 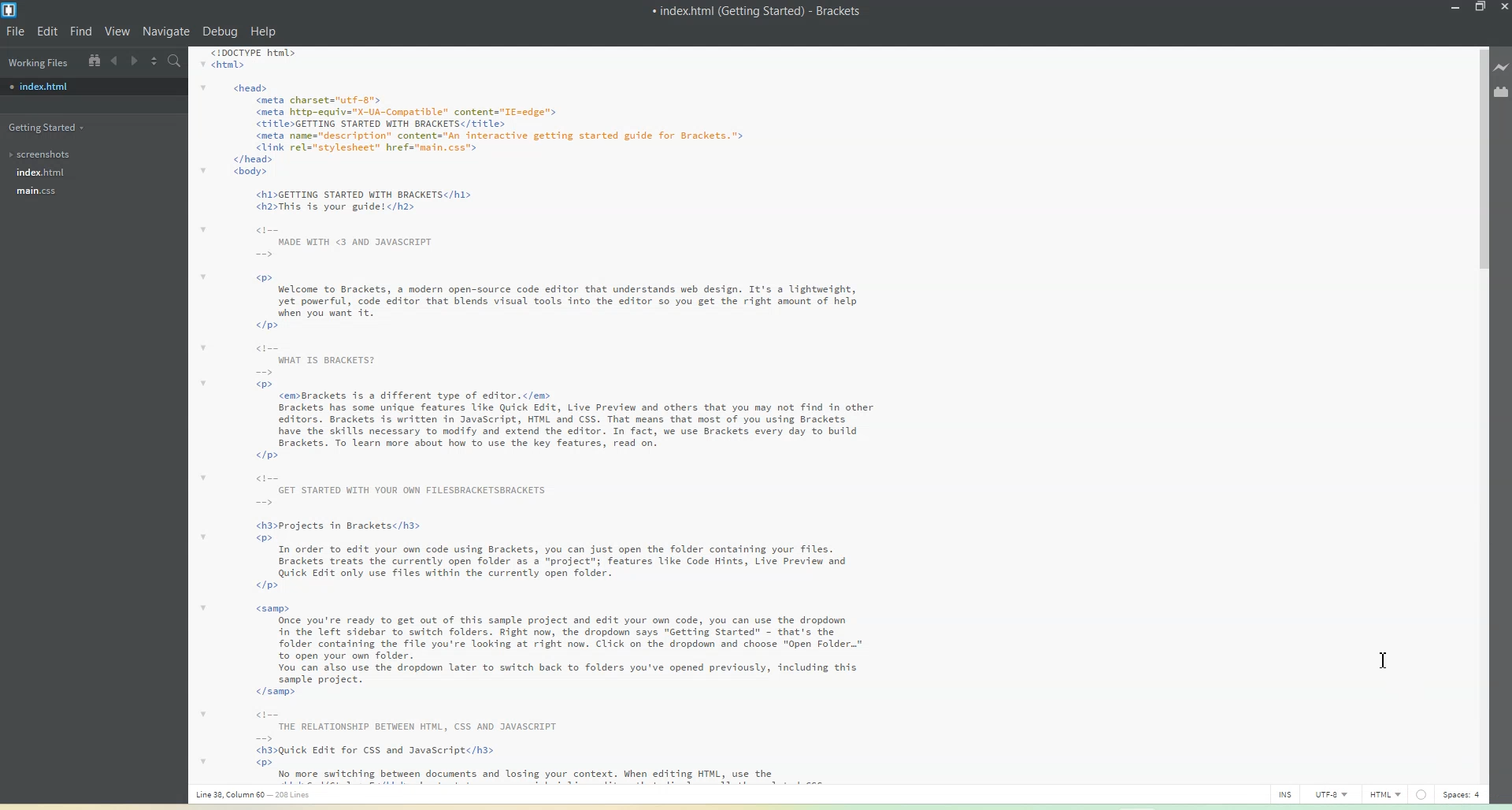 I want to click on HTML, so click(x=1379, y=793).